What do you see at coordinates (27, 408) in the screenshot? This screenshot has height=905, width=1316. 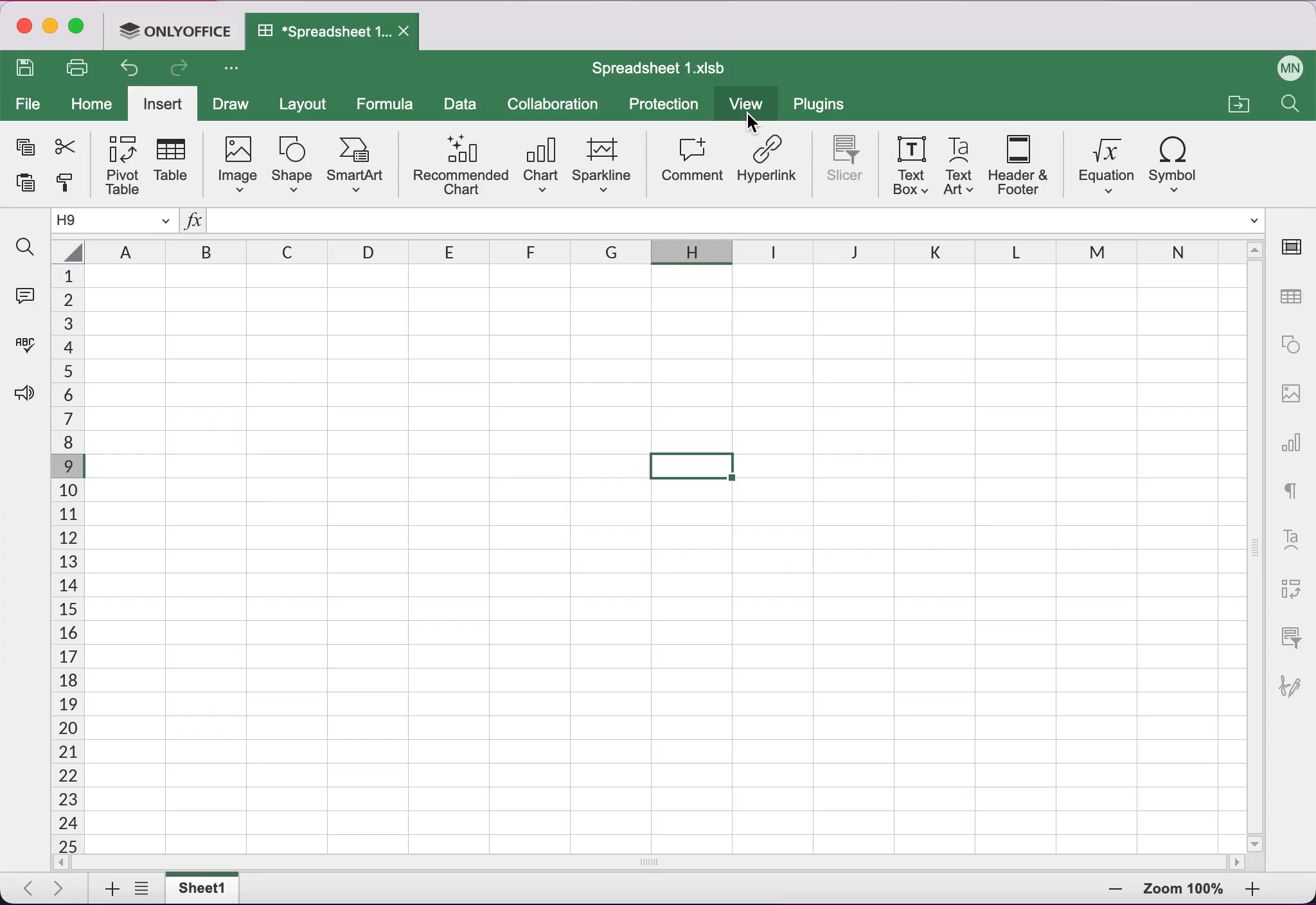 I see `feedback and support` at bounding box center [27, 408].